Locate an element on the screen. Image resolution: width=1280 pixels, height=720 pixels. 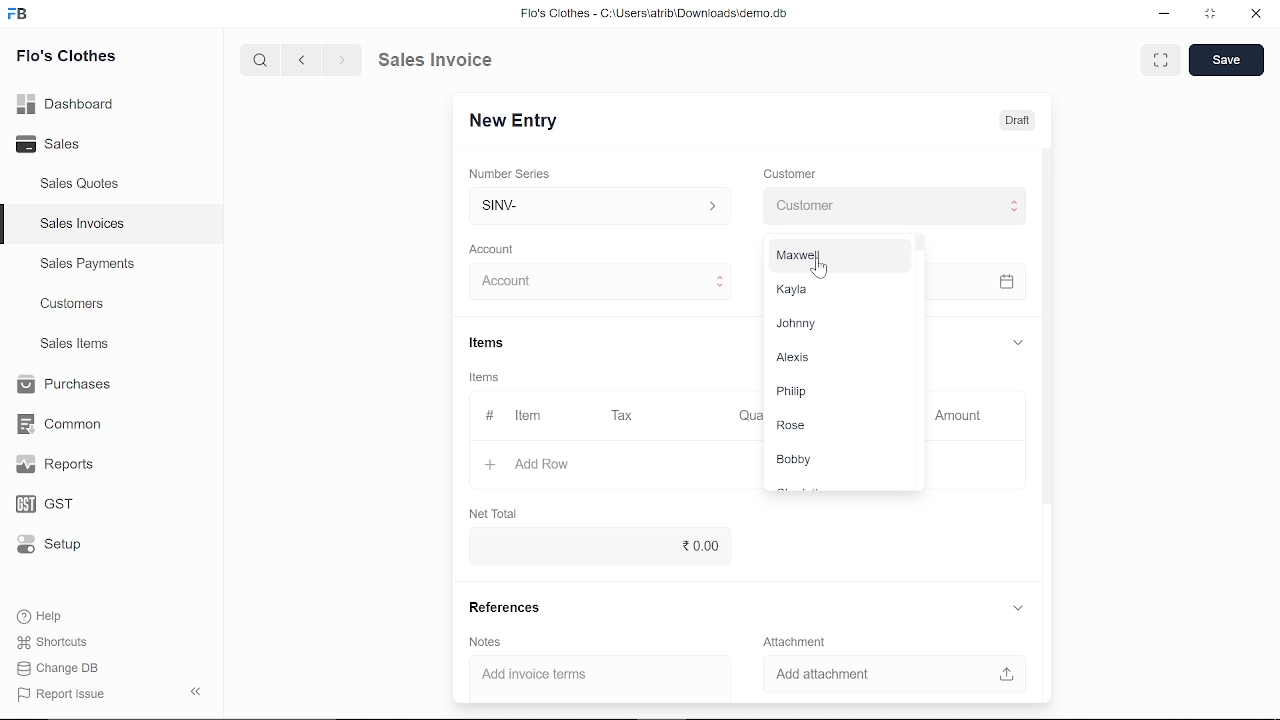
Kayla is located at coordinates (830, 291).